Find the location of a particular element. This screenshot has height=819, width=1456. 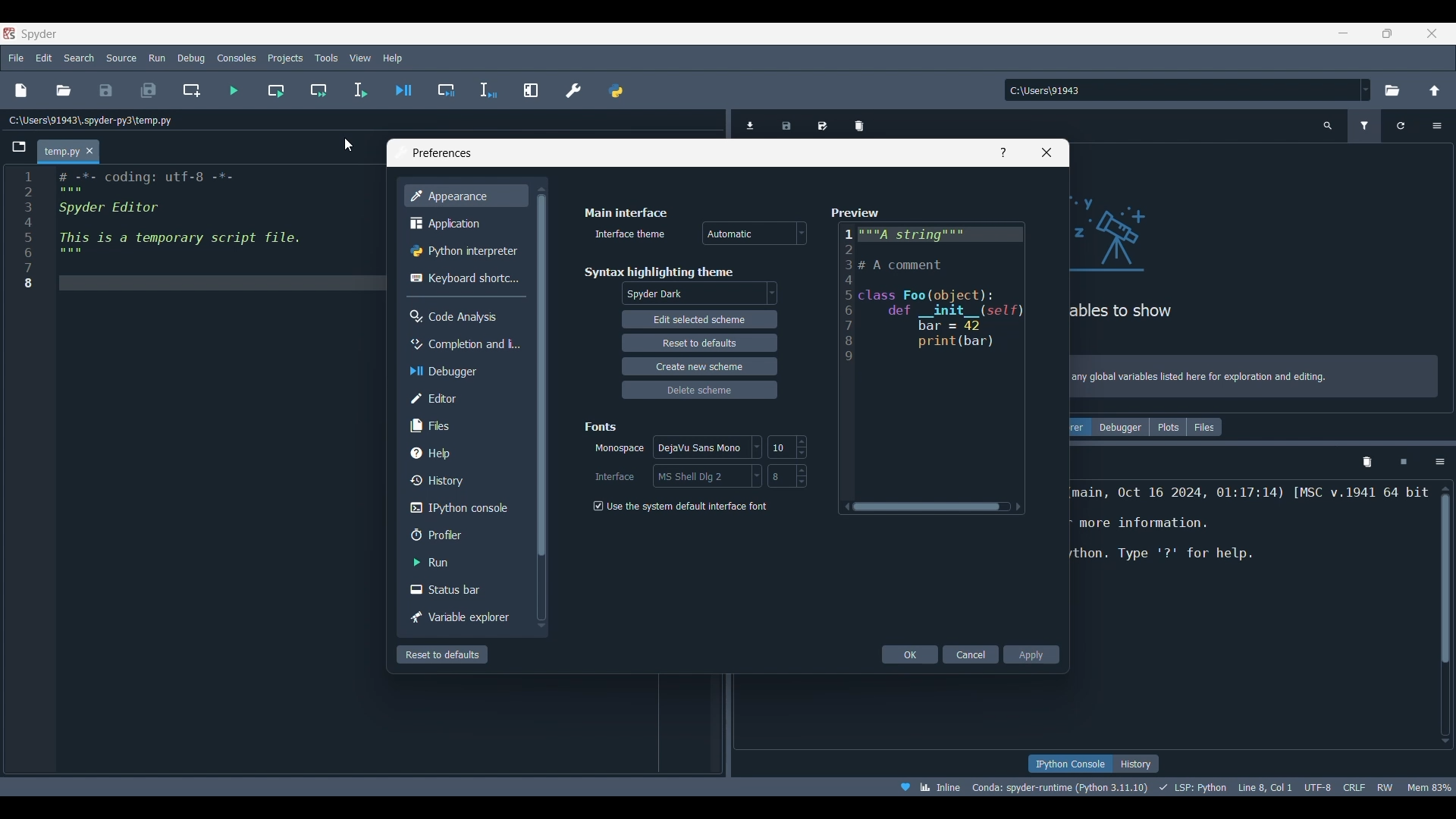

Conda: spyder-runtime (python 3:11.10) is located at coordinates (1058, 786).